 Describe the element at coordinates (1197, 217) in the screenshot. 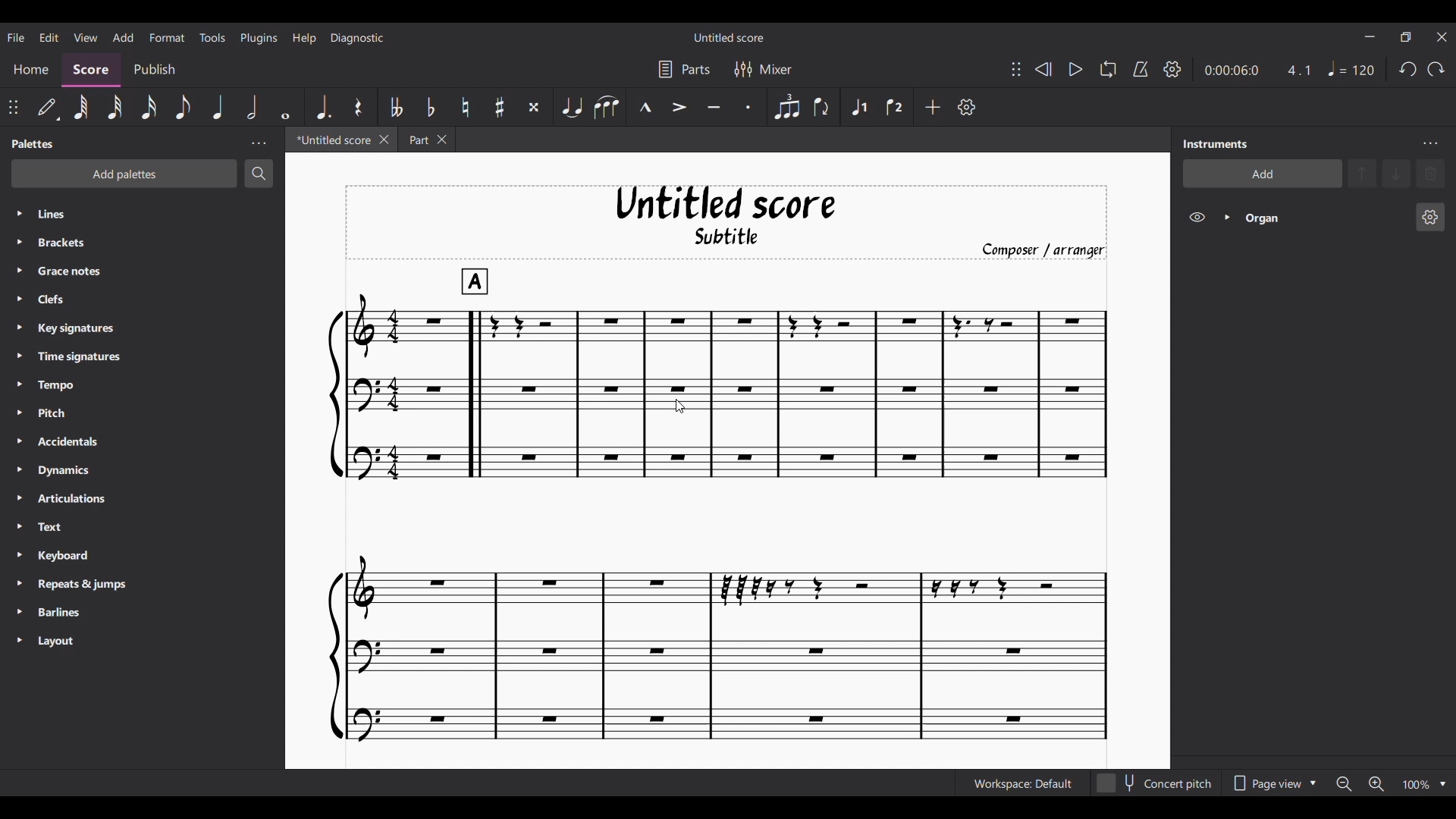

I see `Hide organ` at that location.